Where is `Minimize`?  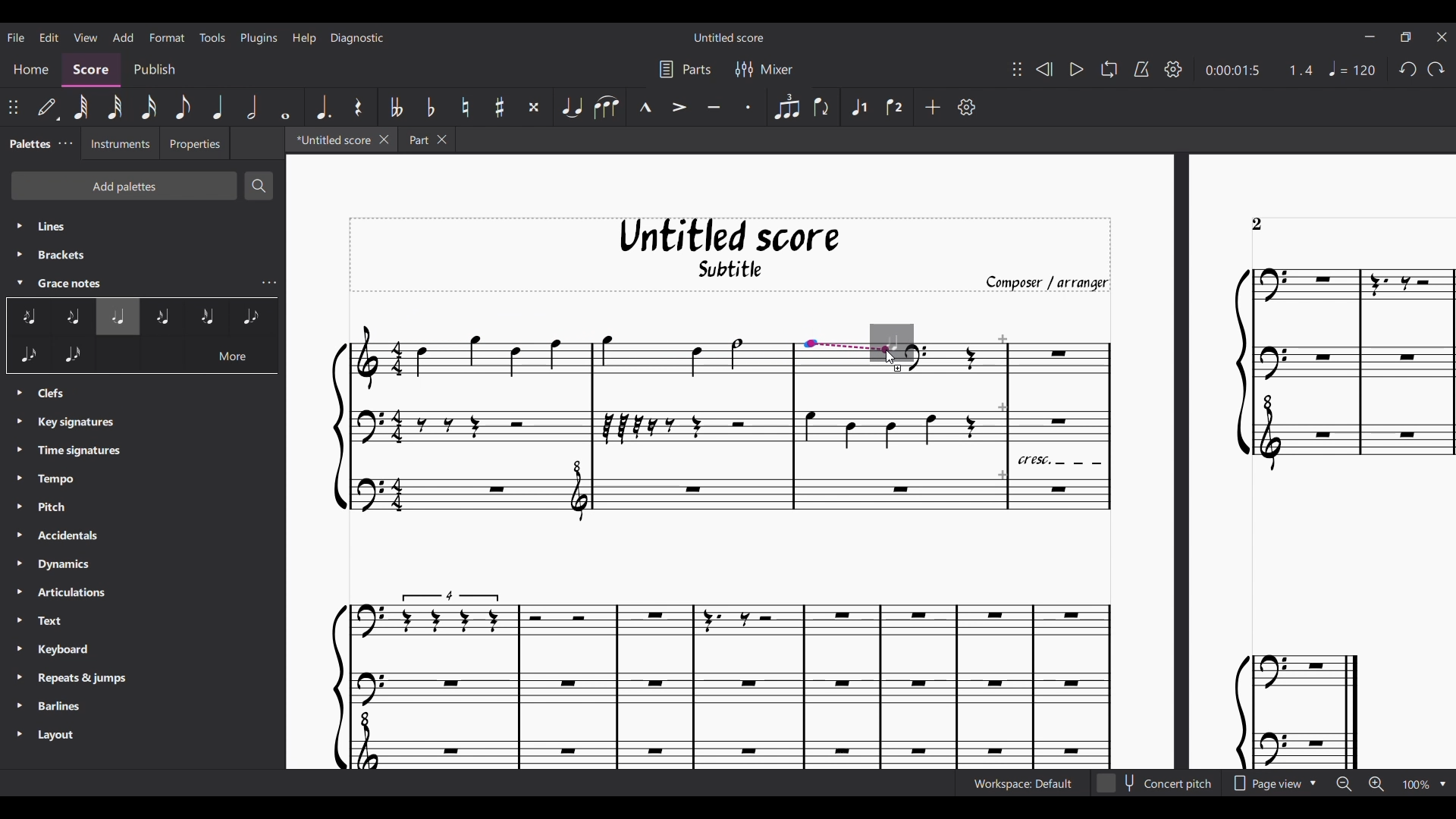
Minimize is located at coordinates (1370, 36).